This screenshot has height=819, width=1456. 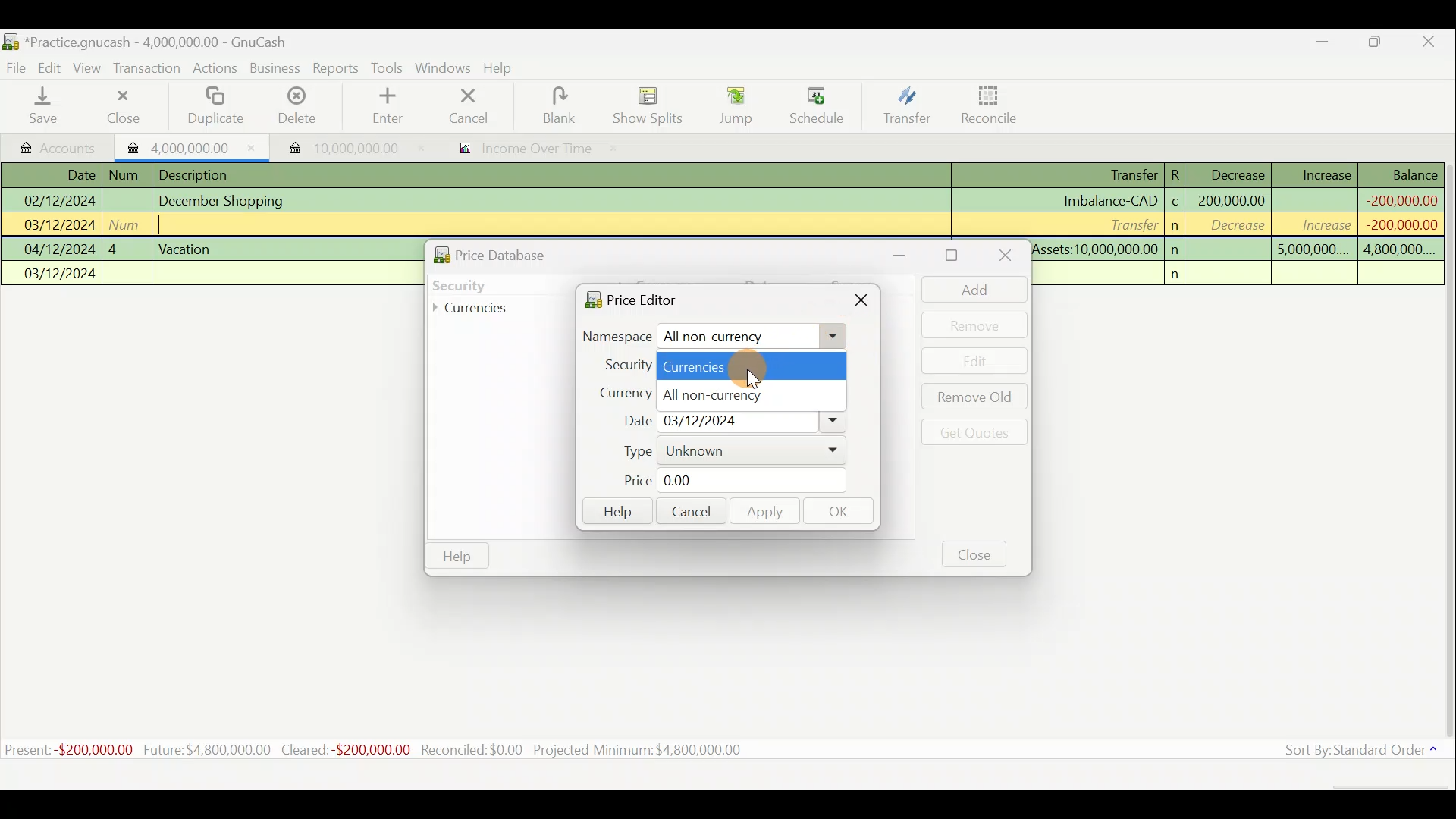 I want to click on Close, so click(x=863, y=303).